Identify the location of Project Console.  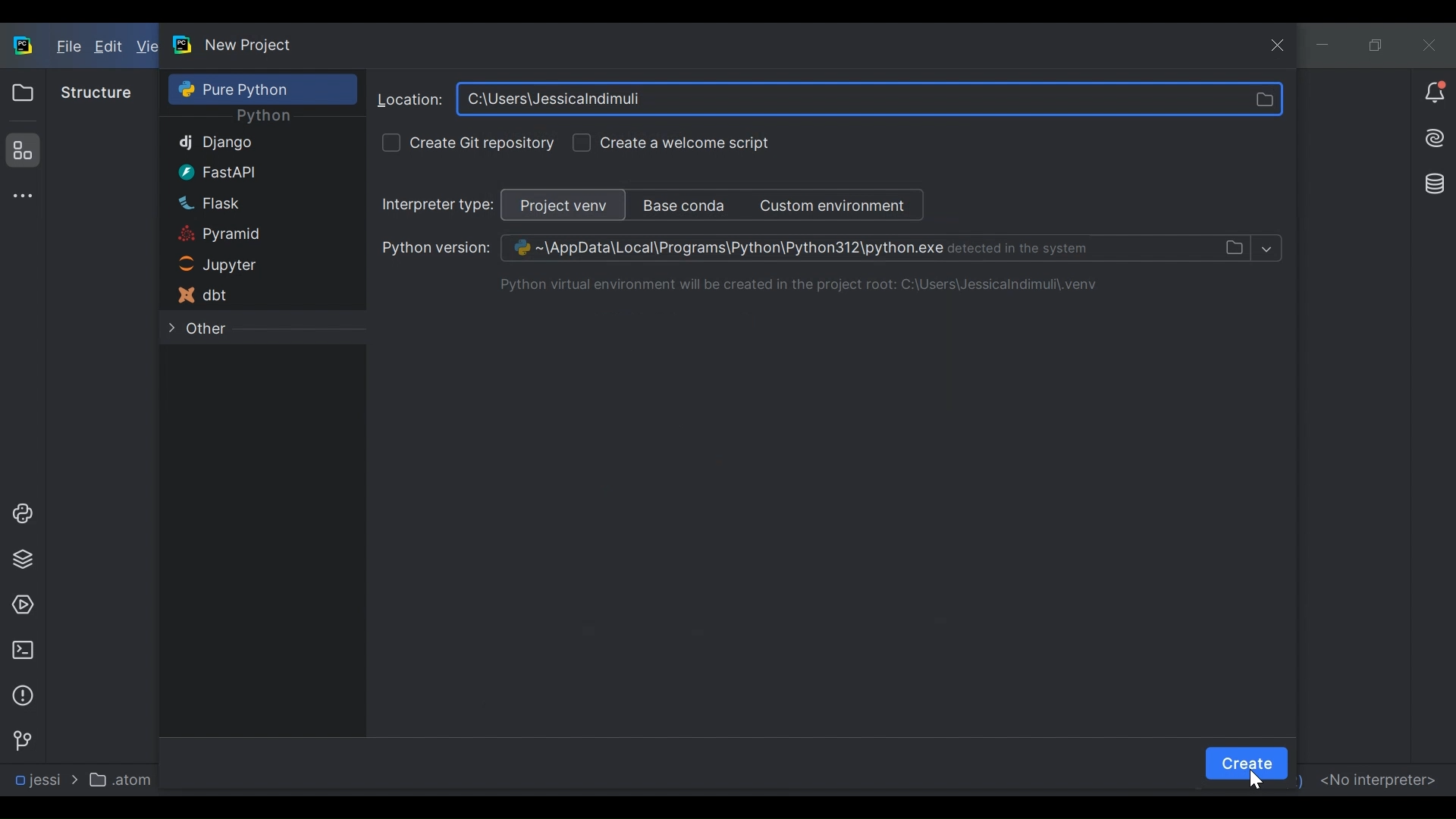
(20, 514).